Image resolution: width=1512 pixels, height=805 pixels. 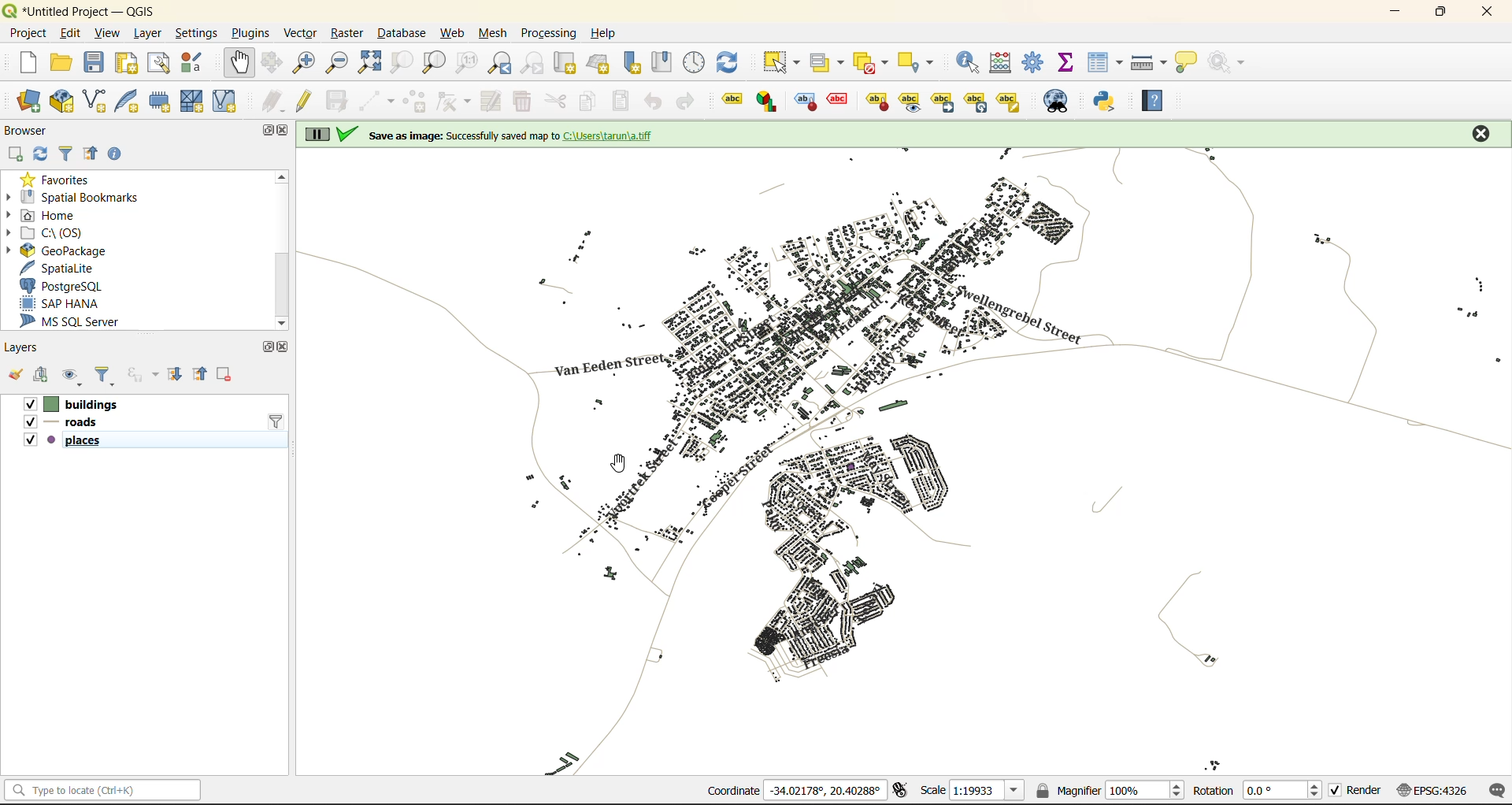 I want to click on show/hide lable and diagram , so click(x=876, y=100).